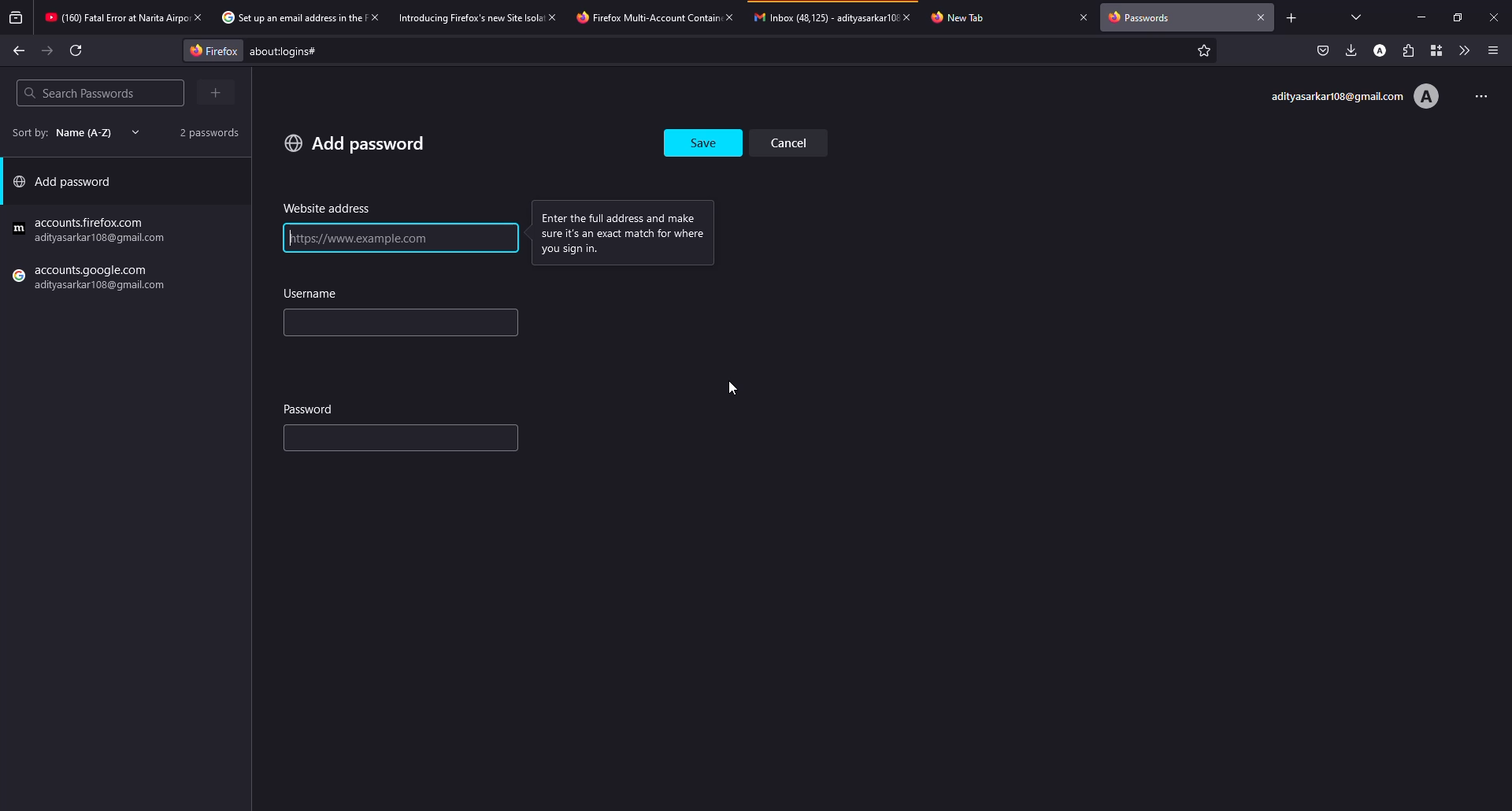 This screenshot has width=1512, height=811. What do you see at coordinates (1493, 50) in the screenshot?
I see `menu` at bounding box center [1493, 50].